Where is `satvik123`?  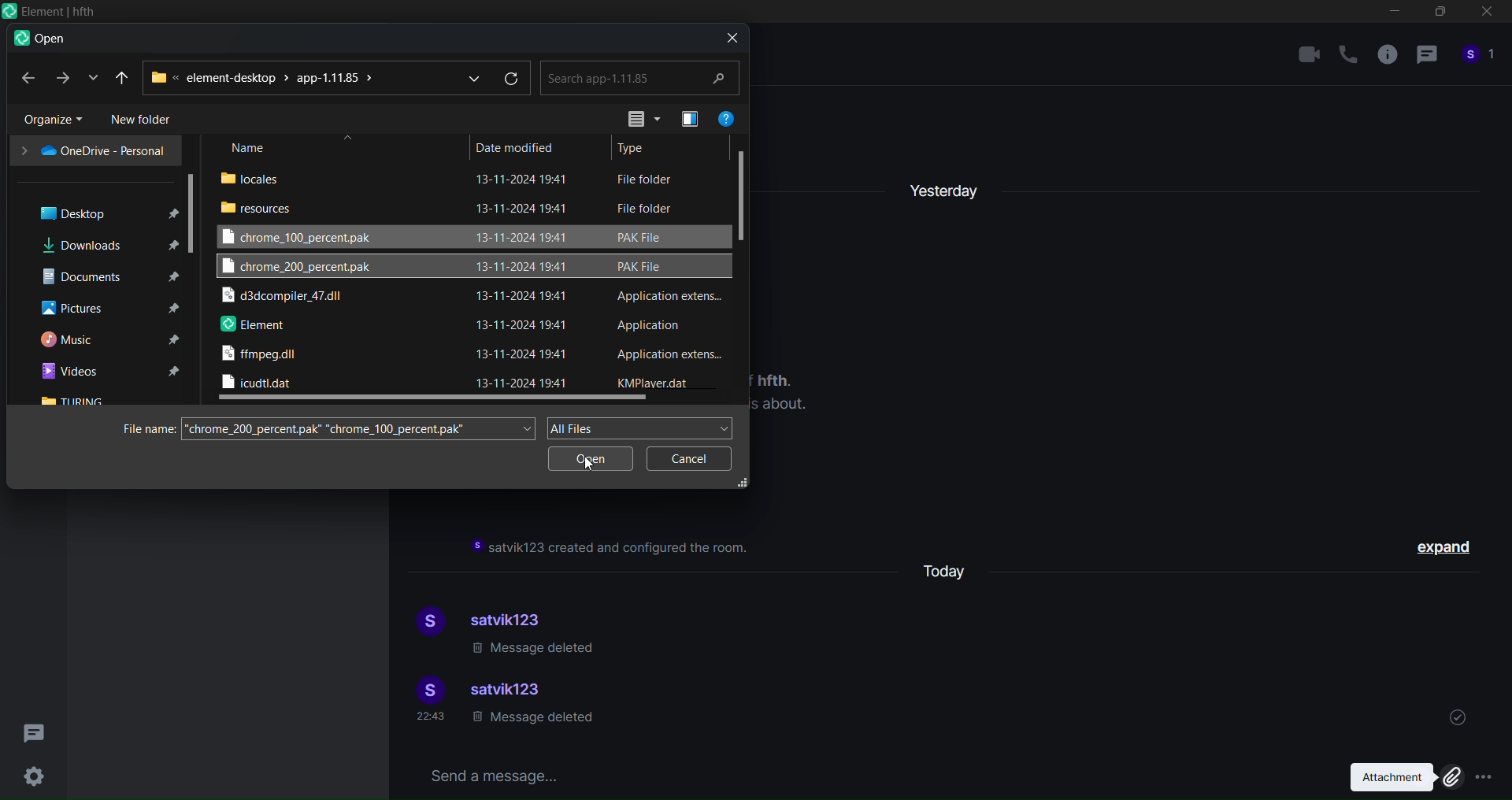 satvik123 is located at coordinates (514, 617).